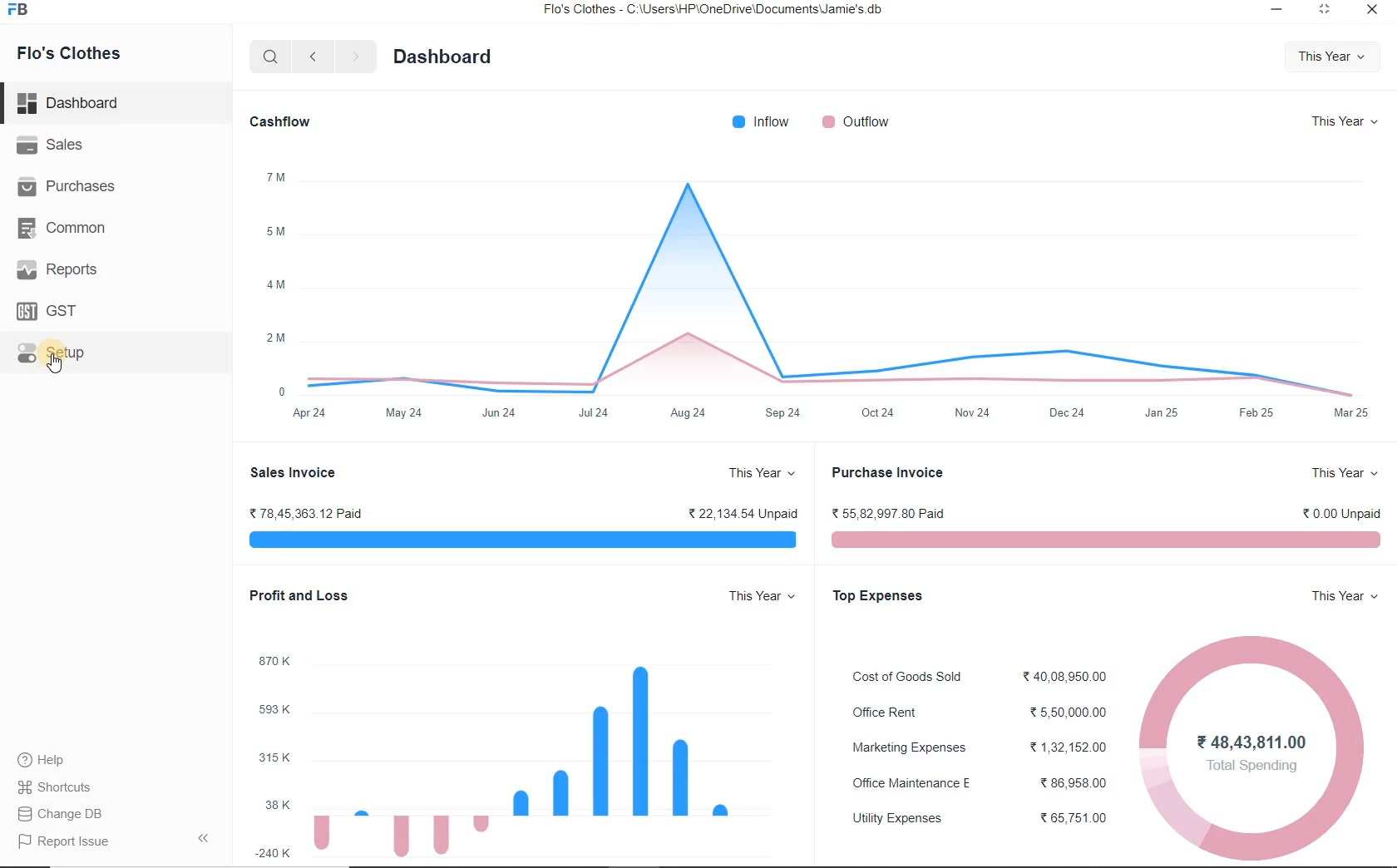 This screenshot has width=1397, height=868. Describe the element at coordinates (894, 816) in the screenshot. I see `Utility Expenses` at that location.